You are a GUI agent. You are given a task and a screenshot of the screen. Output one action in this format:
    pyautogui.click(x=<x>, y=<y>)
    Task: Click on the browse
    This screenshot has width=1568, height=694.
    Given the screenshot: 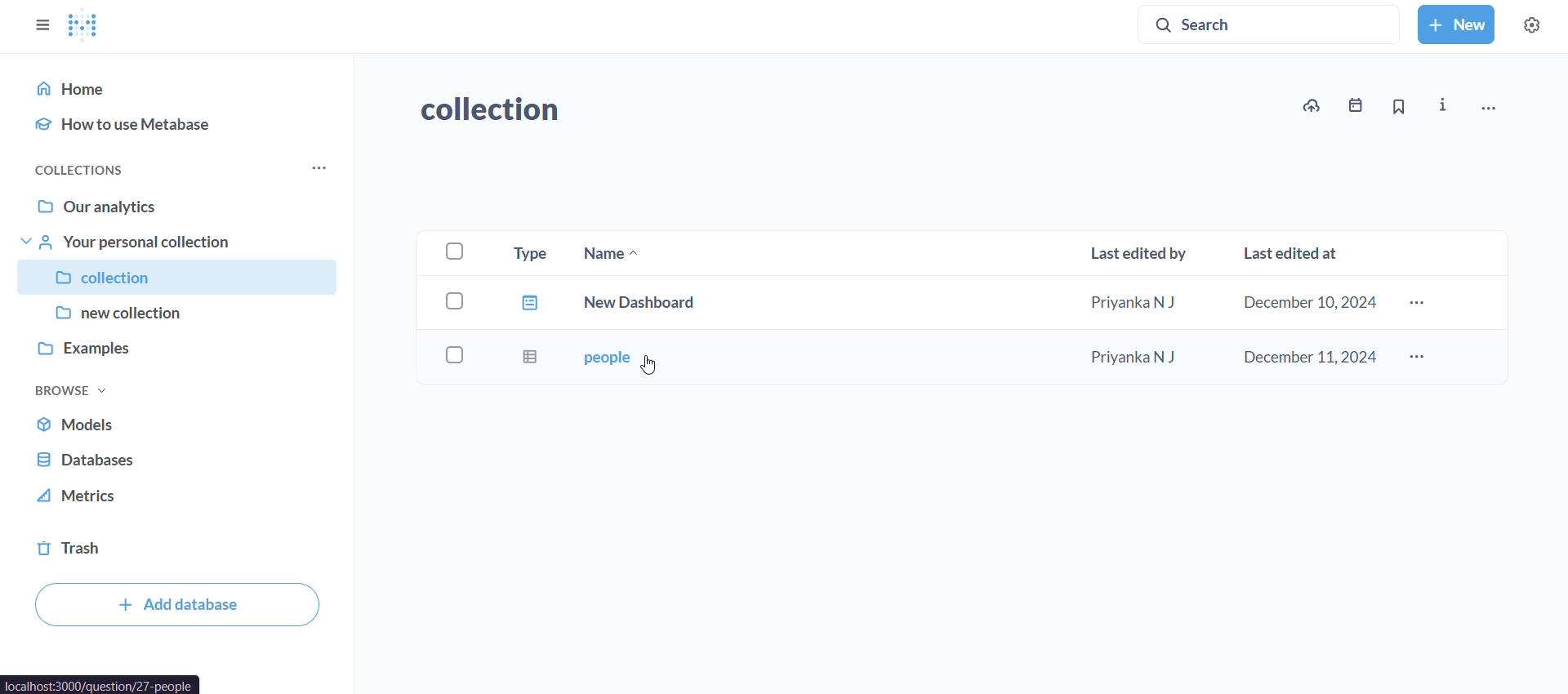 What is the action you would take?
    pyautogui.click(x=74, y=391)
    